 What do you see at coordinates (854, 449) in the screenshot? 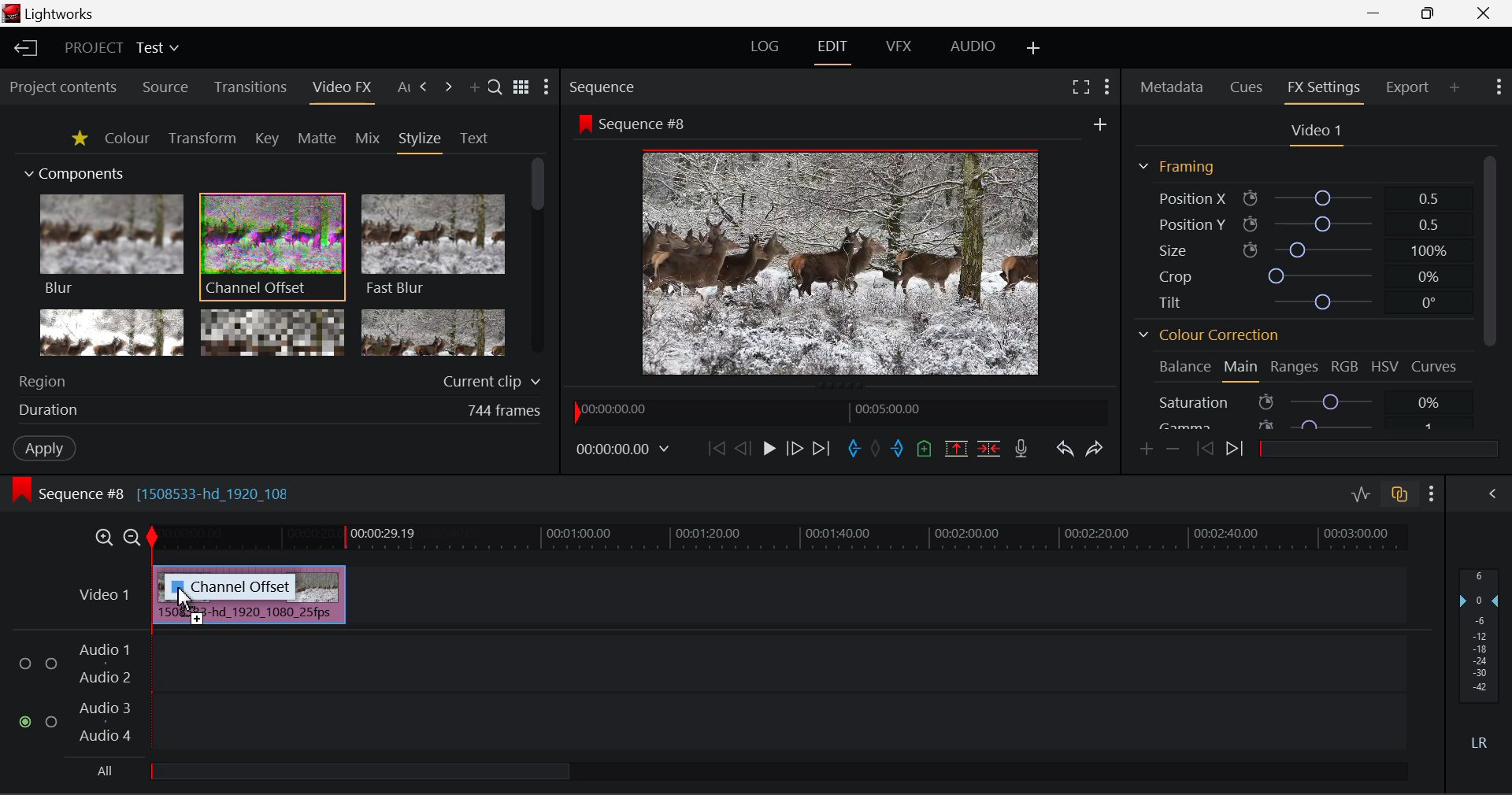
I see `Mark In` at bounding box center [854, 449].